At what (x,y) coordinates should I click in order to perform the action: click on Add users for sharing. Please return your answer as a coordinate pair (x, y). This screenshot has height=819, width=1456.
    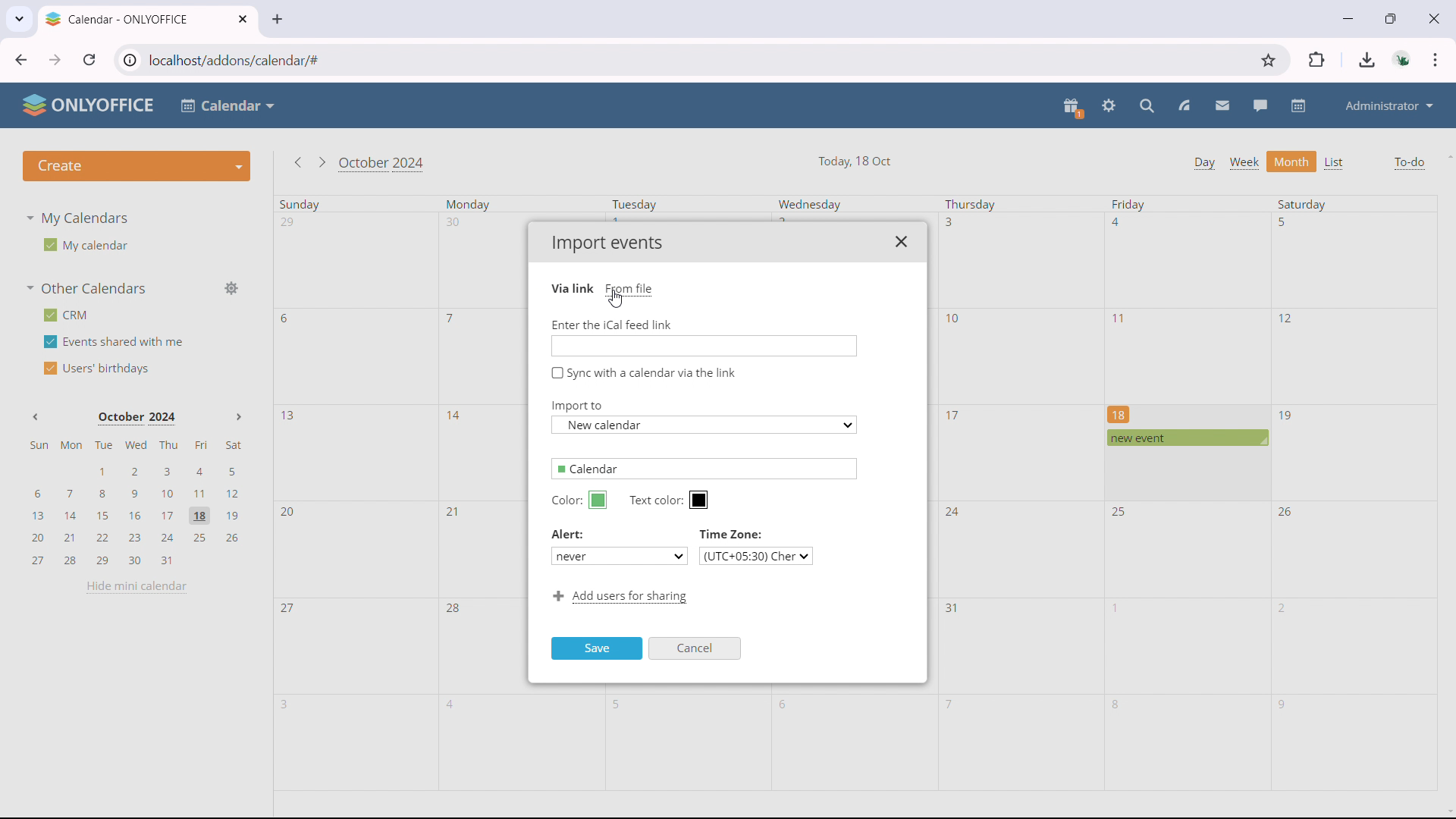
    Looking at the image, I should click on (619, 594).